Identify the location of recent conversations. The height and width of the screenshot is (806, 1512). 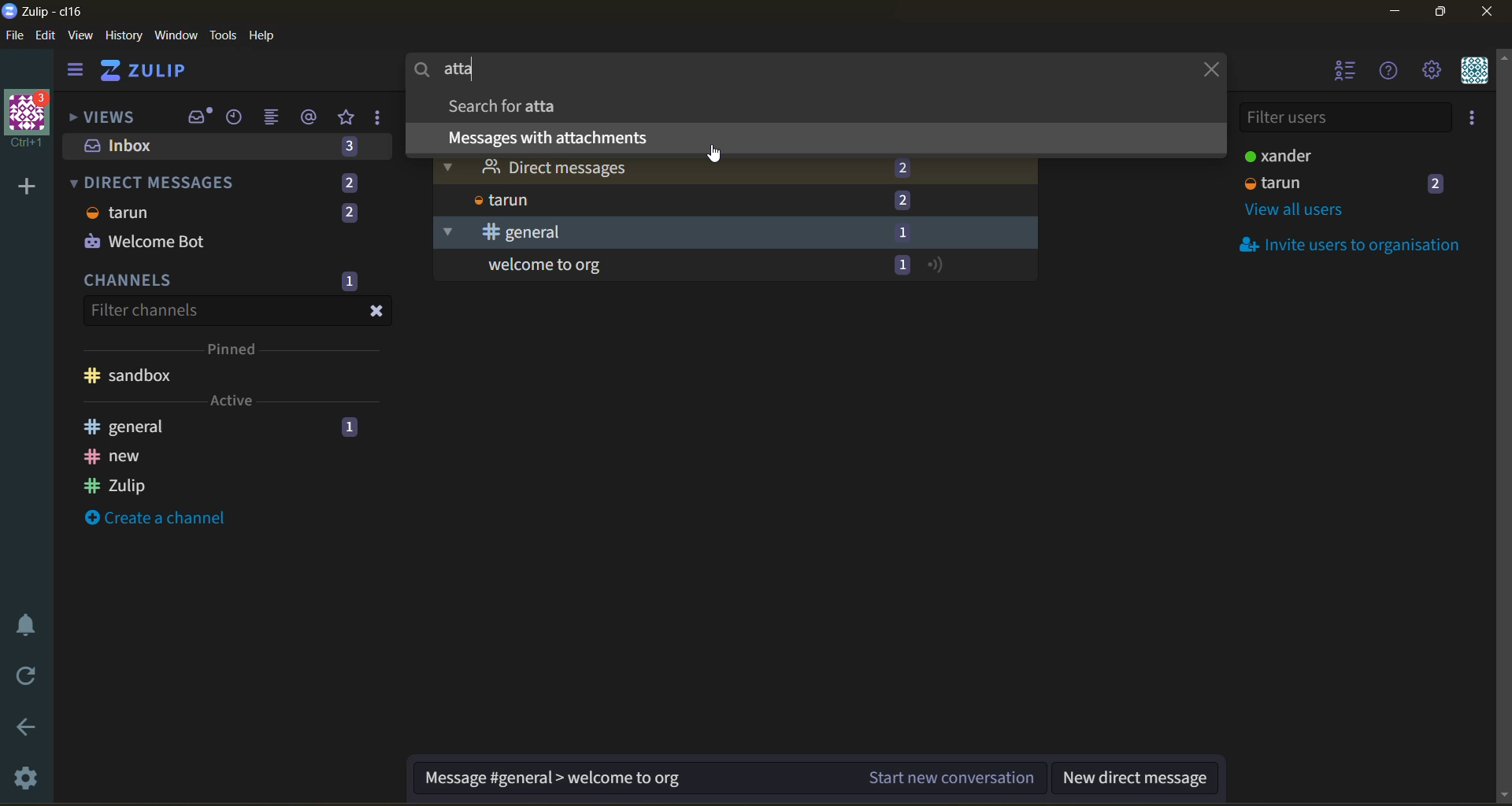
(235, 118).